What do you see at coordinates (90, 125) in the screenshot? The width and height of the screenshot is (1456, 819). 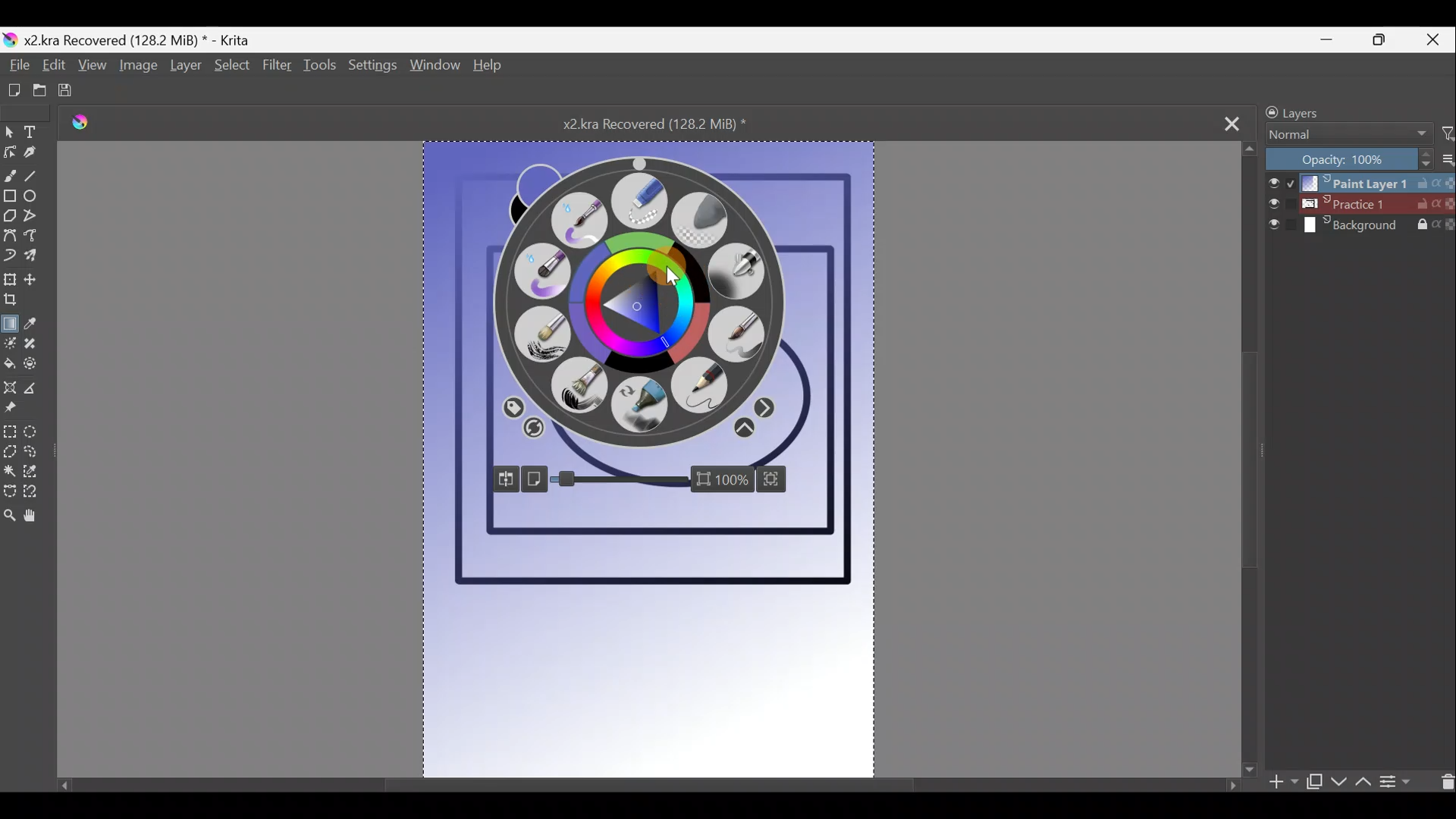 I see `Krita logo` at bounding box center [90, 125].